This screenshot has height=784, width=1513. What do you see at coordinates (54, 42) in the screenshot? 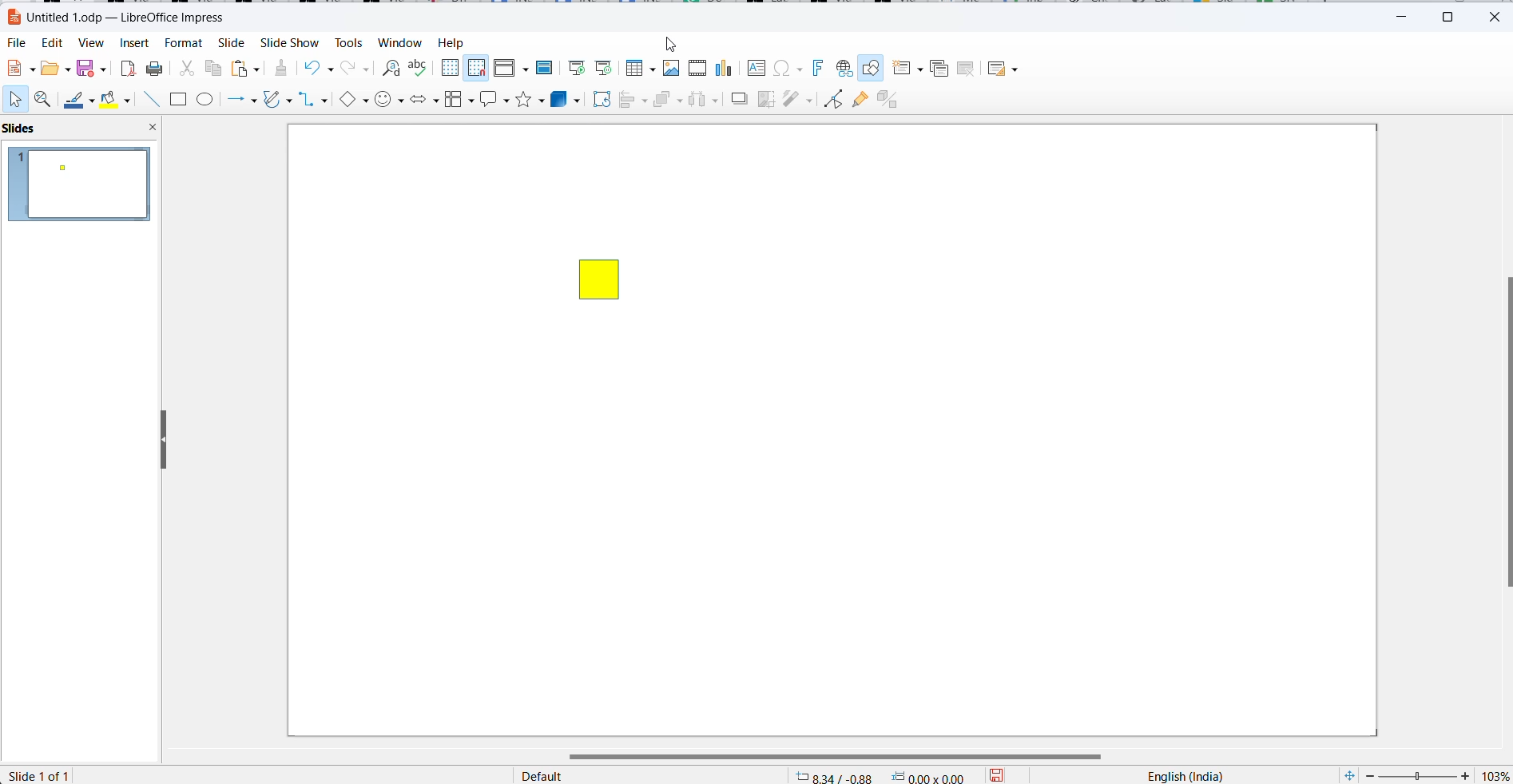
I see `Edit` at bounding box center [54, 42].